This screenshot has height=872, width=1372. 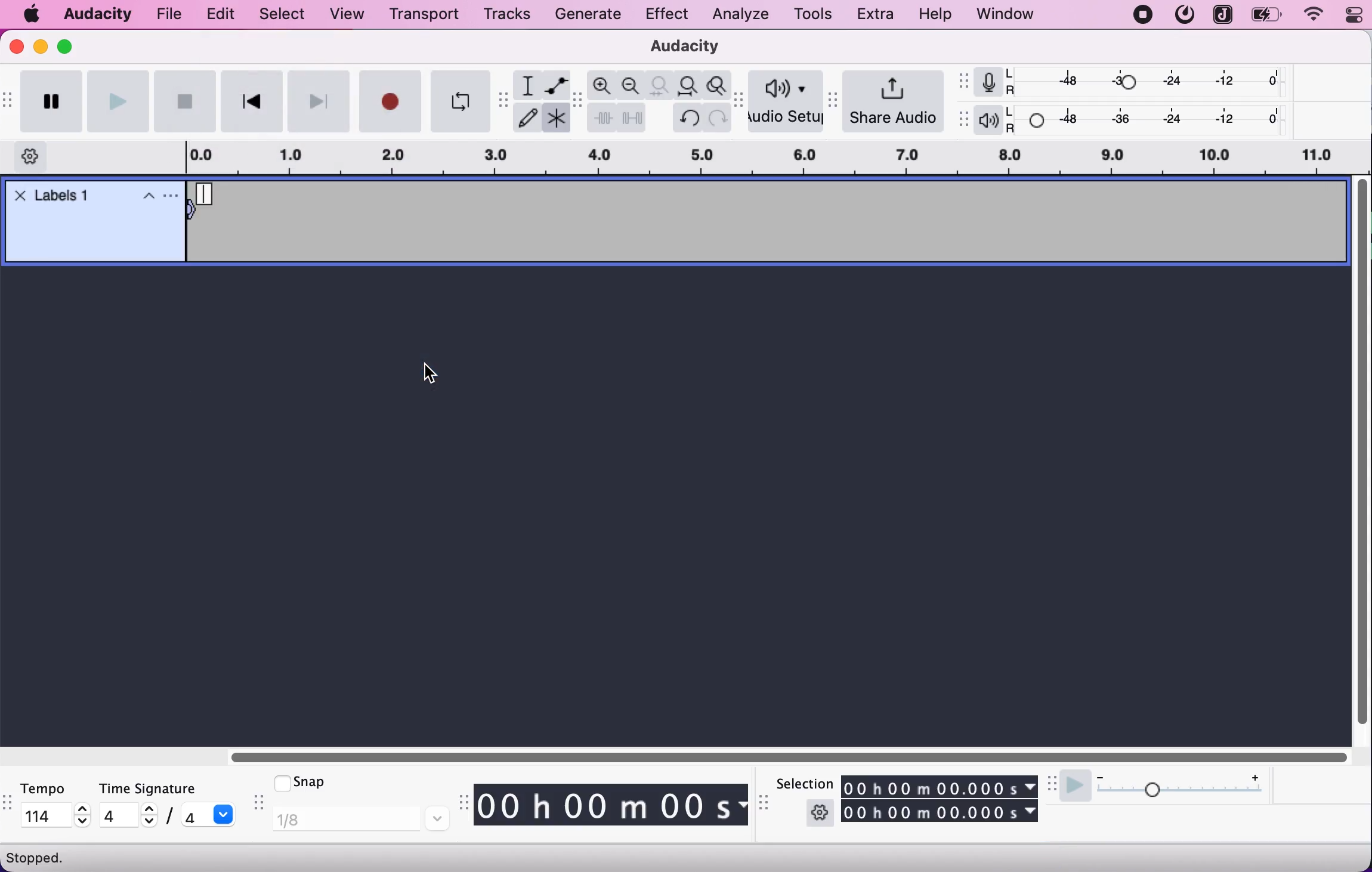 What do you see at coordinates (898, 100) in the screenshot?
I see `share audio` at bounding box center [898, 100].